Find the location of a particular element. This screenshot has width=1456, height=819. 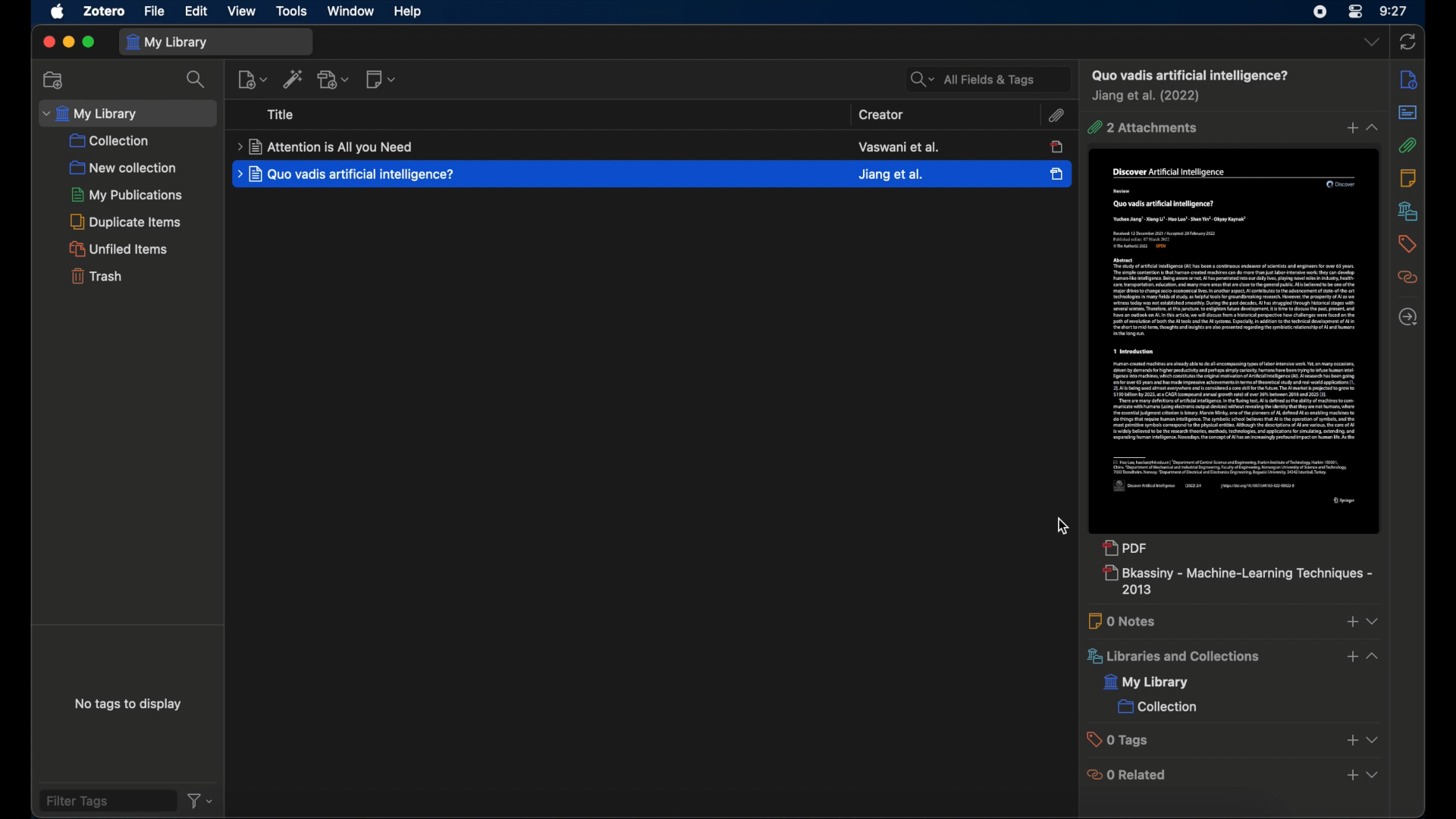

unselected icon is located at coordinates (1056, 146).